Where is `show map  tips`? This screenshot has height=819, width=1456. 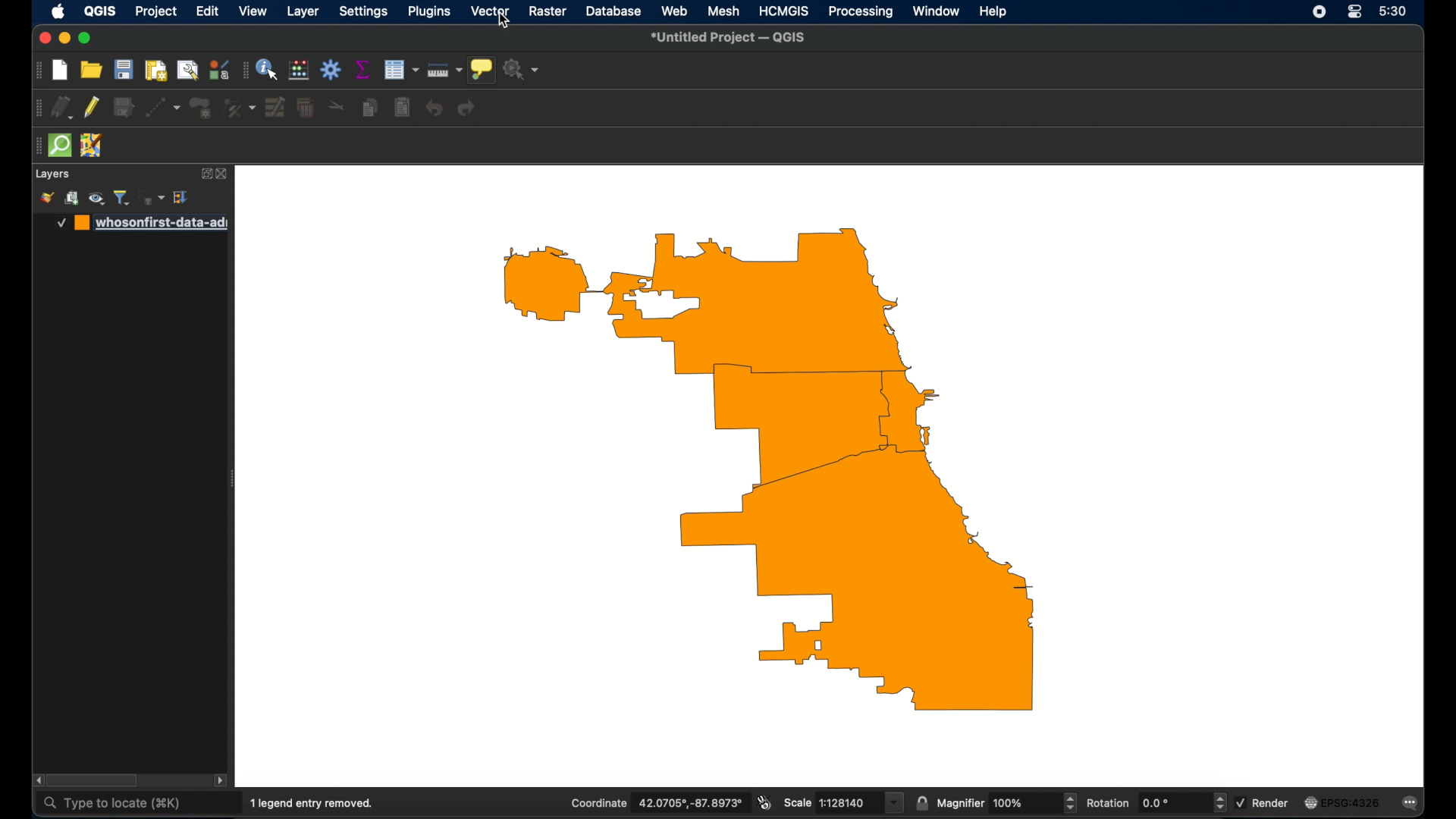
show map  tips is located at coordinates (482, 70).